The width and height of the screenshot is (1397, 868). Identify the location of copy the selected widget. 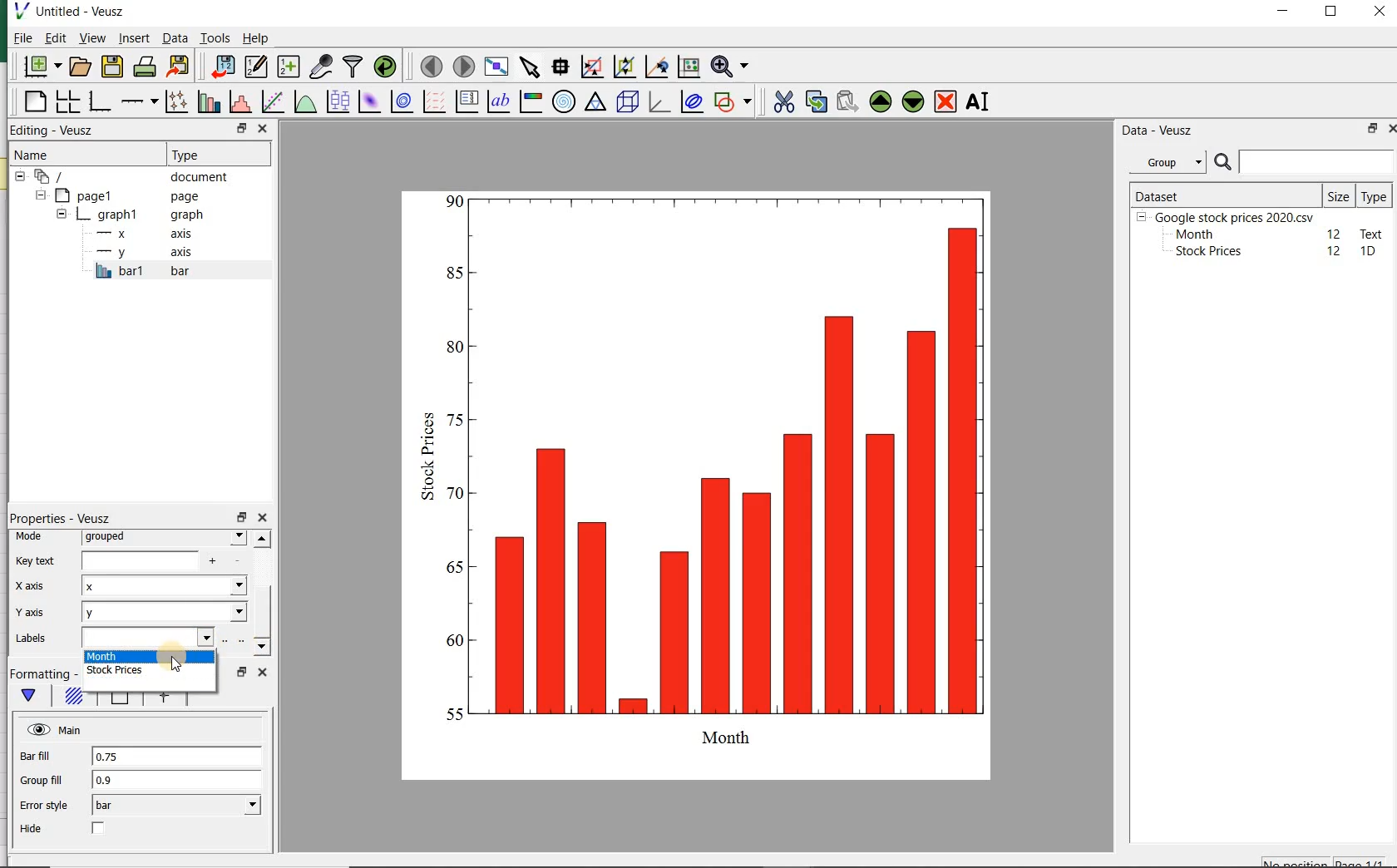
(815, 102).